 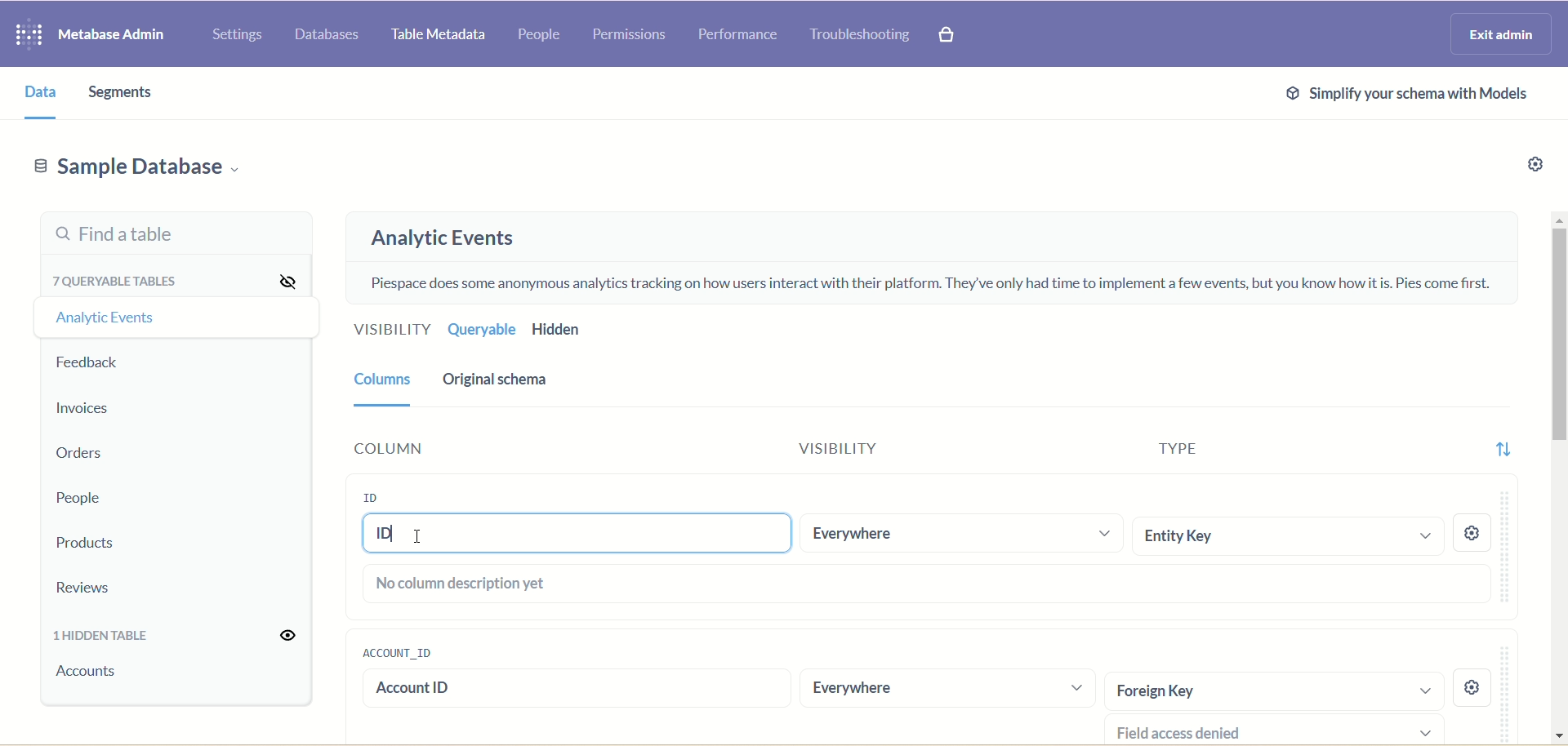 I want to click on Analytic events, so click(x=459, y=234).